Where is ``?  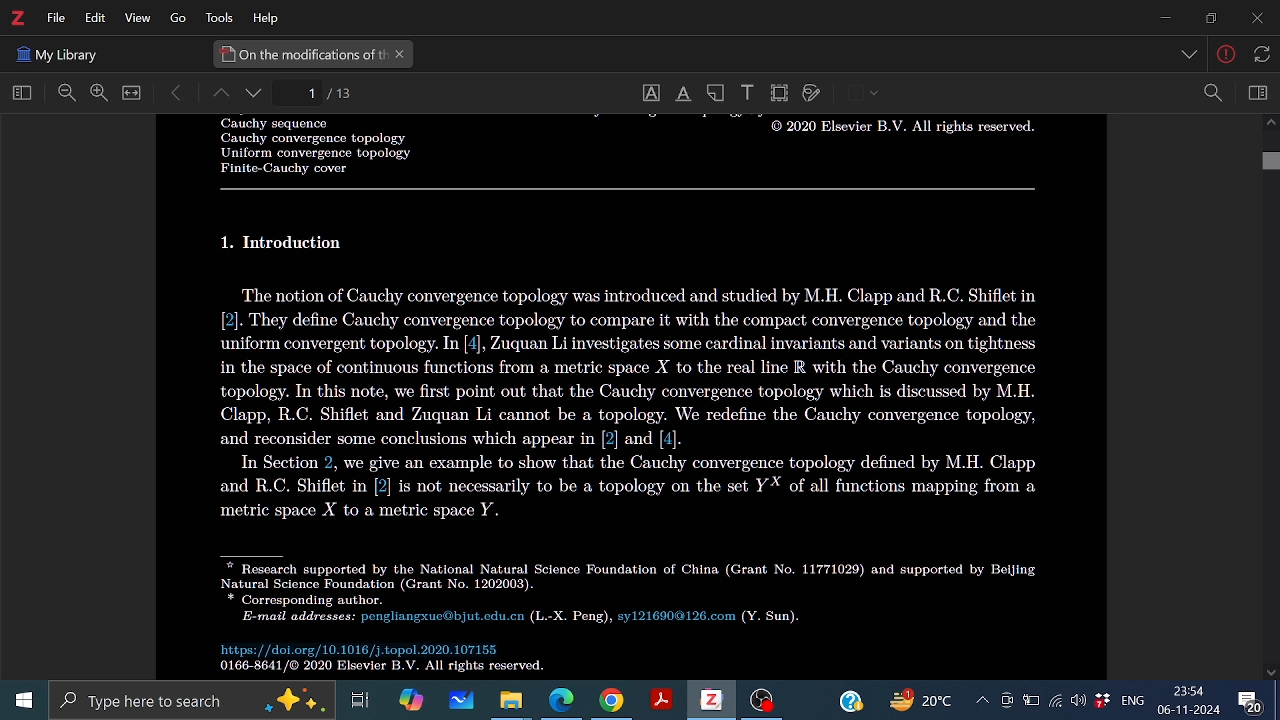
 is located at coordinates (1259, 53).